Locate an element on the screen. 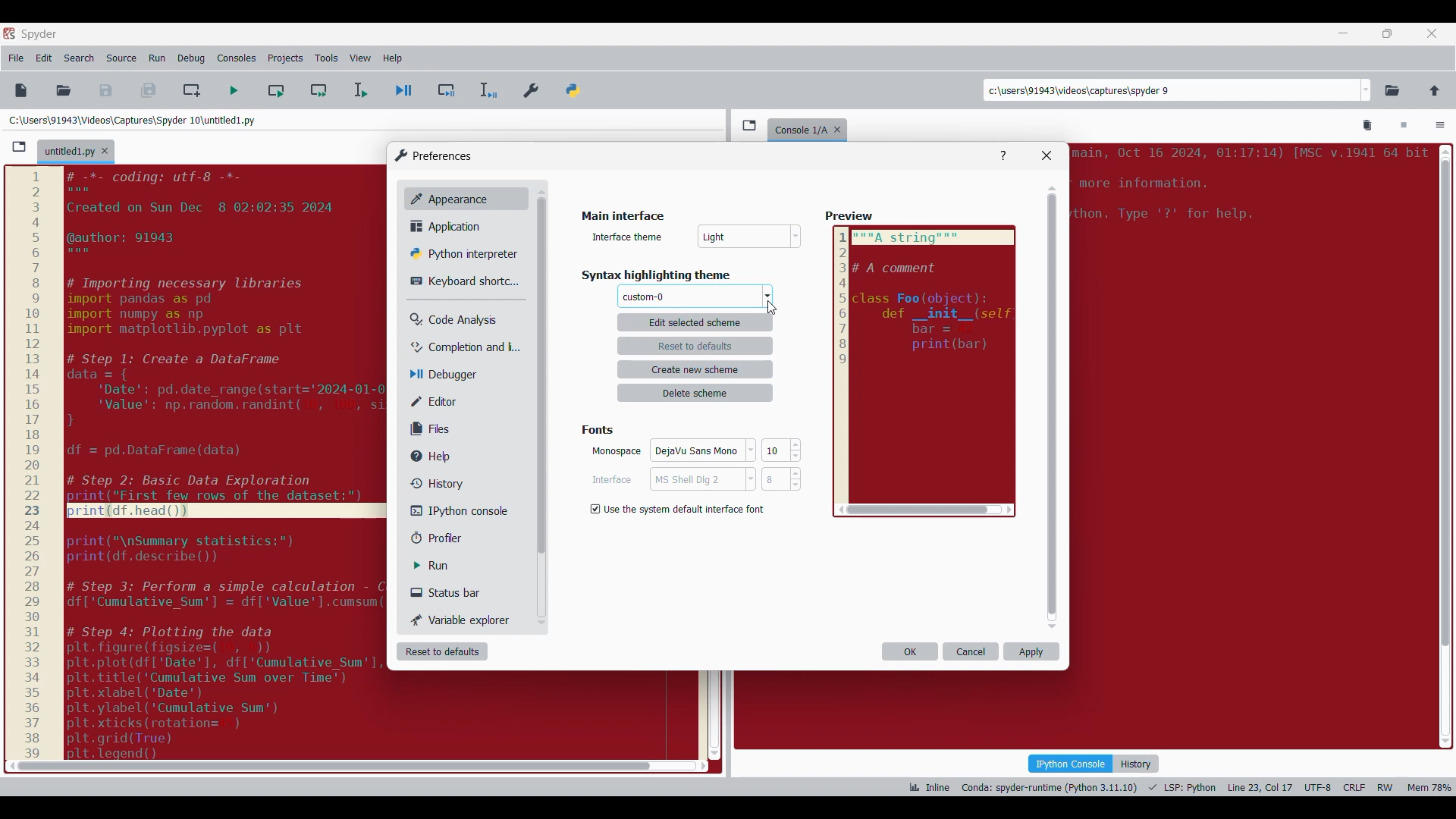 The width and height of the screenshot is (1456, 819). Run file is located at coordinates (234, 90).